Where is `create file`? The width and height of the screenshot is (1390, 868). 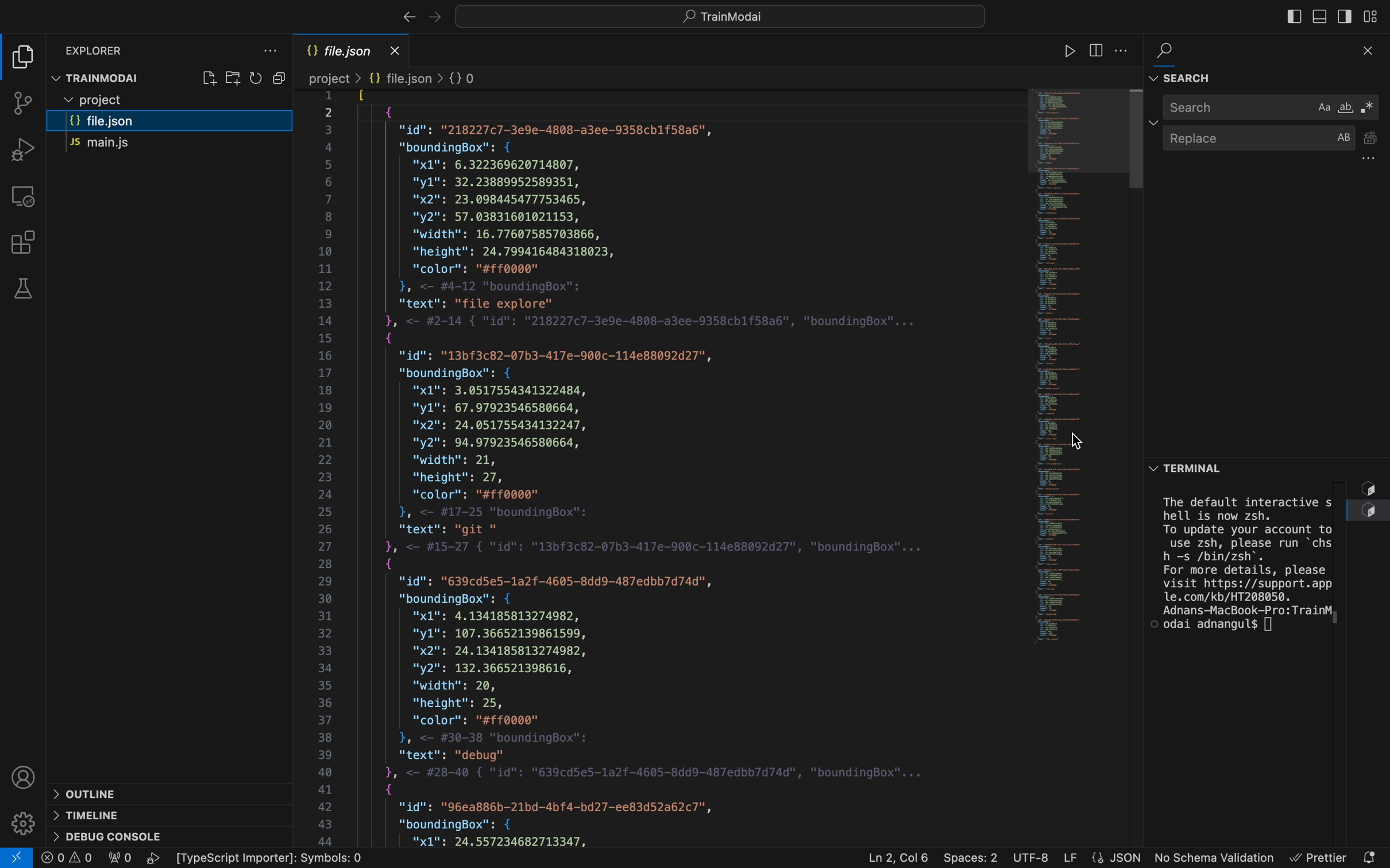
create file is located at coordinates (208, 76).